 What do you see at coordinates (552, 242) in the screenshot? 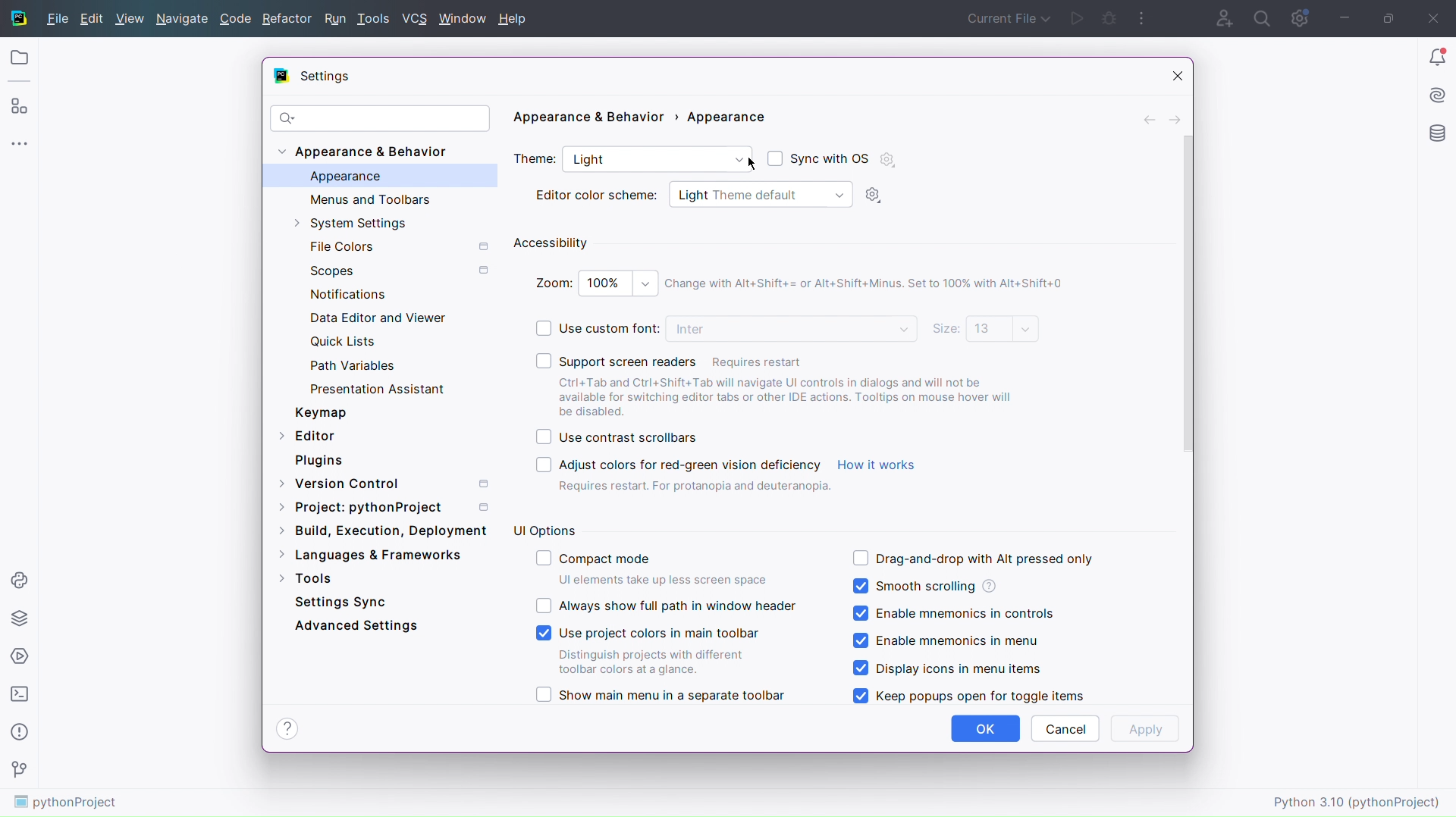
I see `Accessibility` at bounding box center [552, 242].